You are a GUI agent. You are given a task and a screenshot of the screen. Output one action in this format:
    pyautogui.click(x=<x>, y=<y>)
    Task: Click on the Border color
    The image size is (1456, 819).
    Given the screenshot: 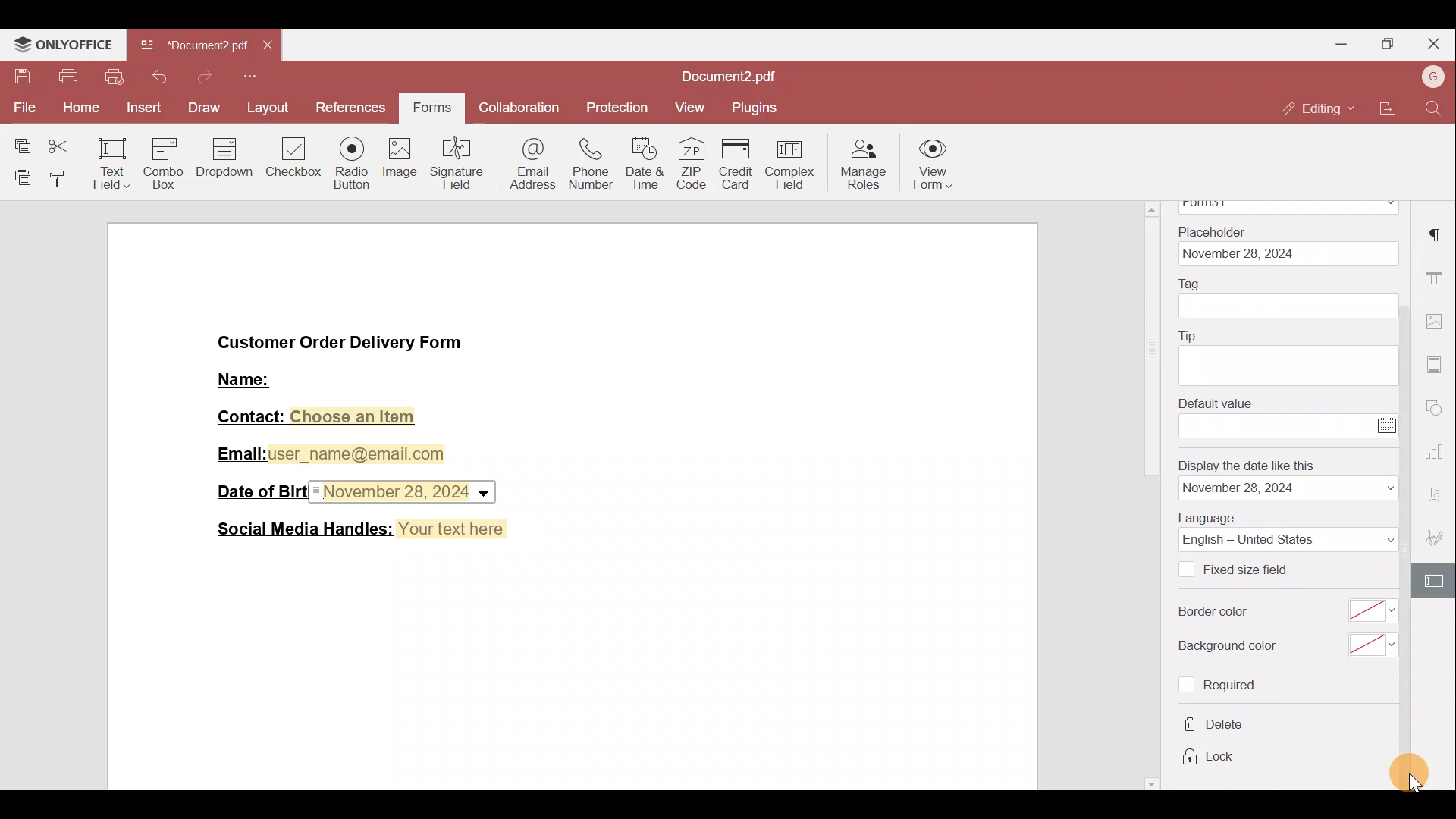 What is the action you would take?
    pyautogui.click(x=1216, y=612)
    